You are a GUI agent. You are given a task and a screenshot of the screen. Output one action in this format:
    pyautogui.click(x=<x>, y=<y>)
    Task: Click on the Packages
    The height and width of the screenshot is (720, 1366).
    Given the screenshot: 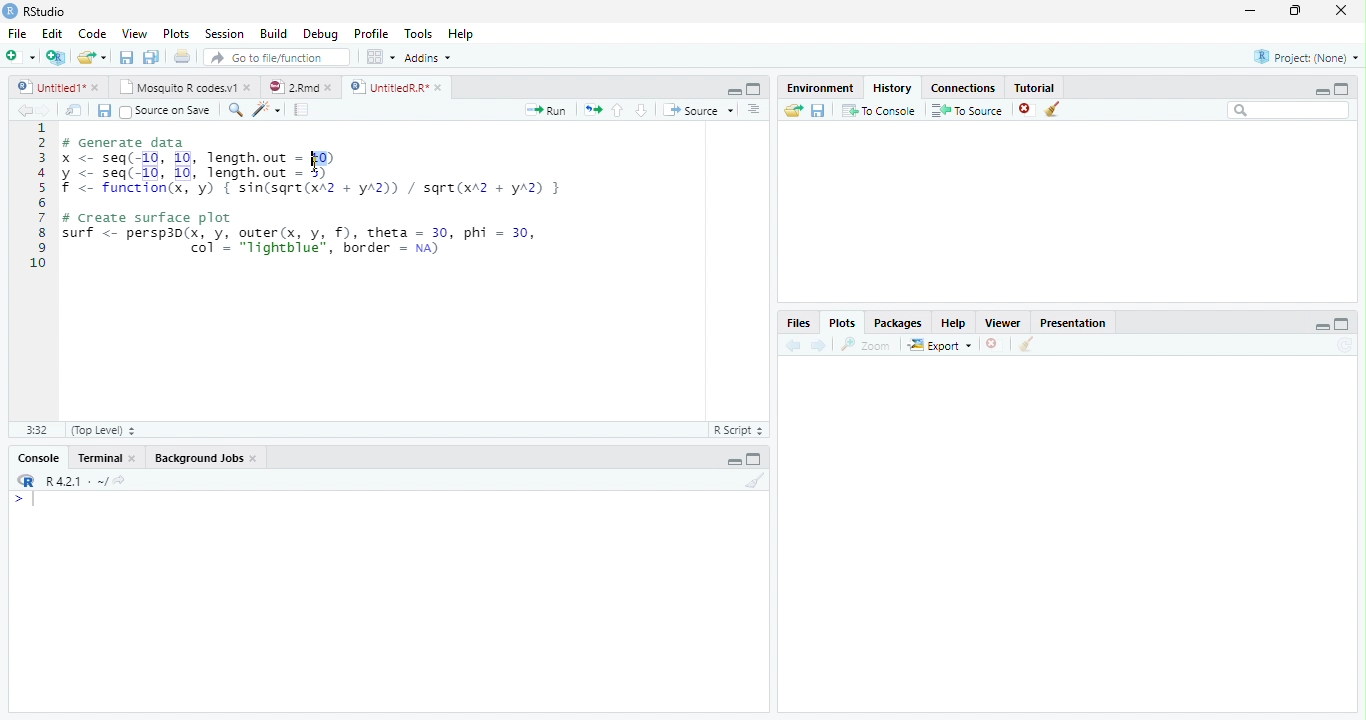 What is the action you would take?
    pyautogui.click(x=898, y=322)
    